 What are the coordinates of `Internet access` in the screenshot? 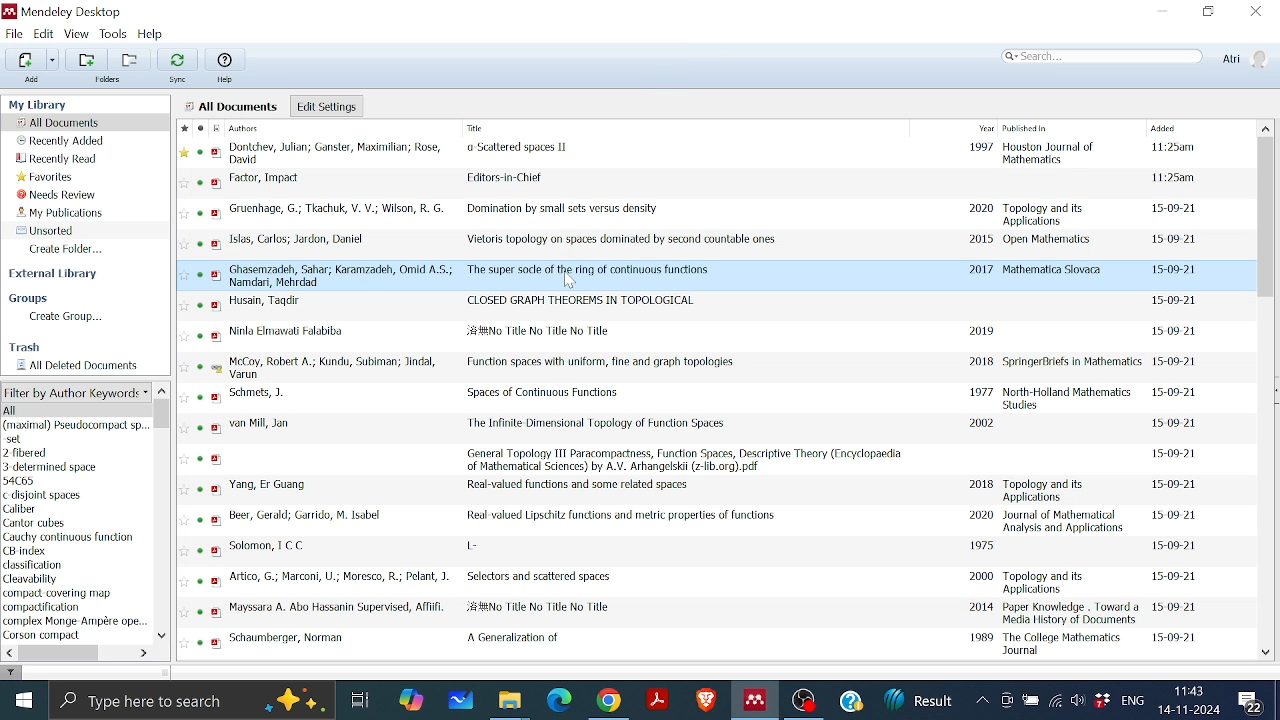 It's located at (1055, 700).